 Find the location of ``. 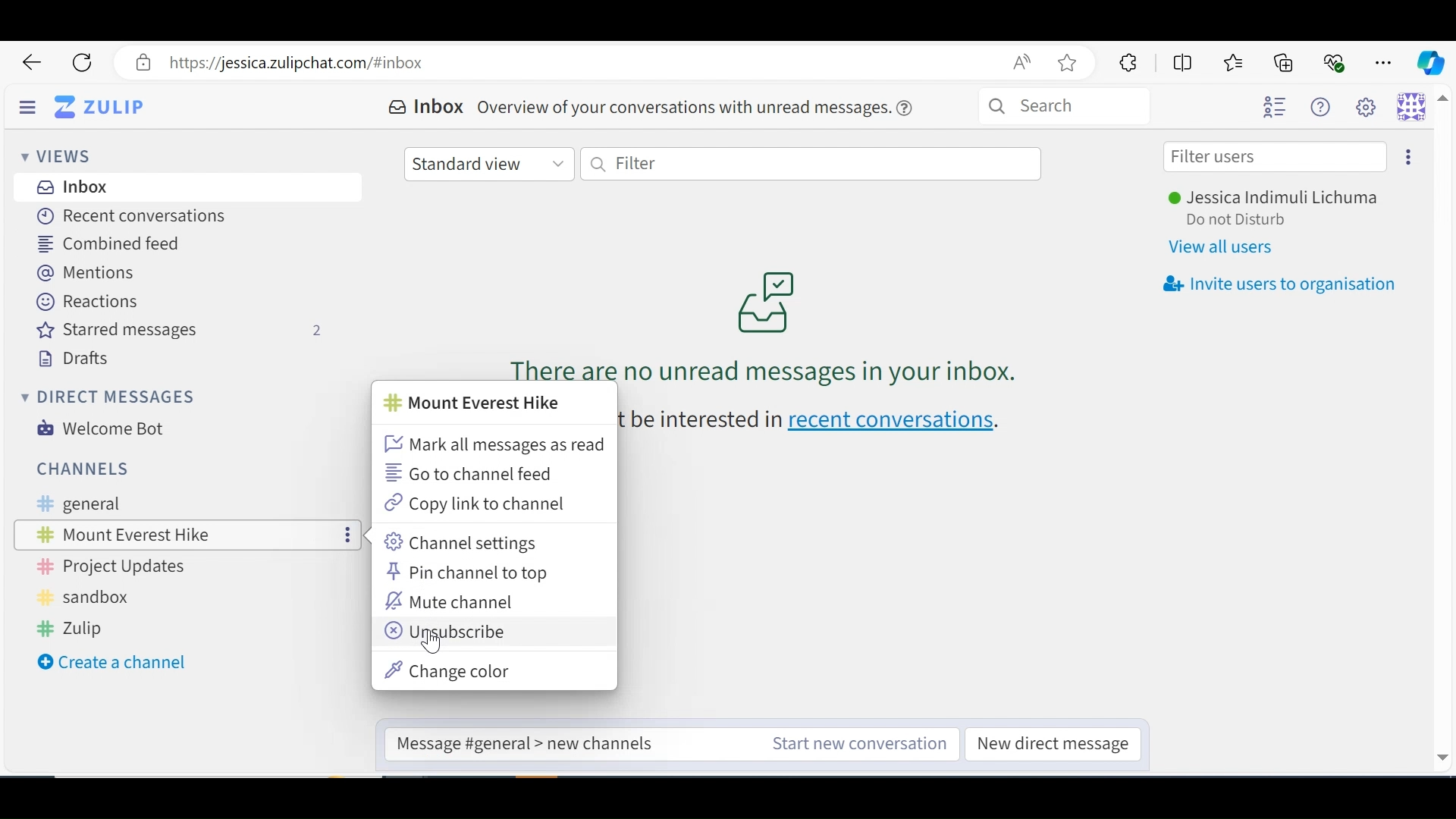

 is located at coordinates (1436, 61).